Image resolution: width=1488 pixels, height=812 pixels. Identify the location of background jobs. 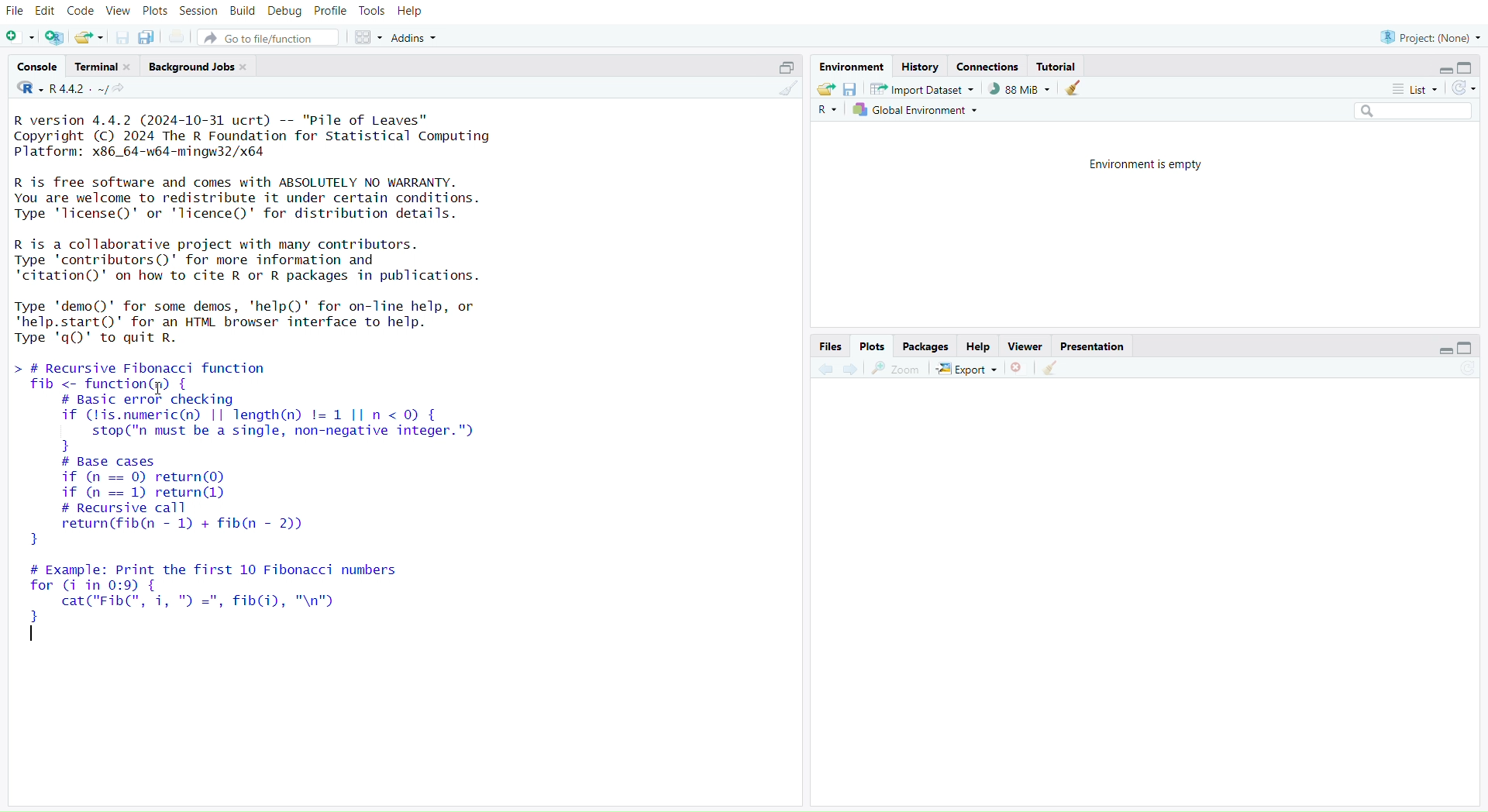
(199, 68).